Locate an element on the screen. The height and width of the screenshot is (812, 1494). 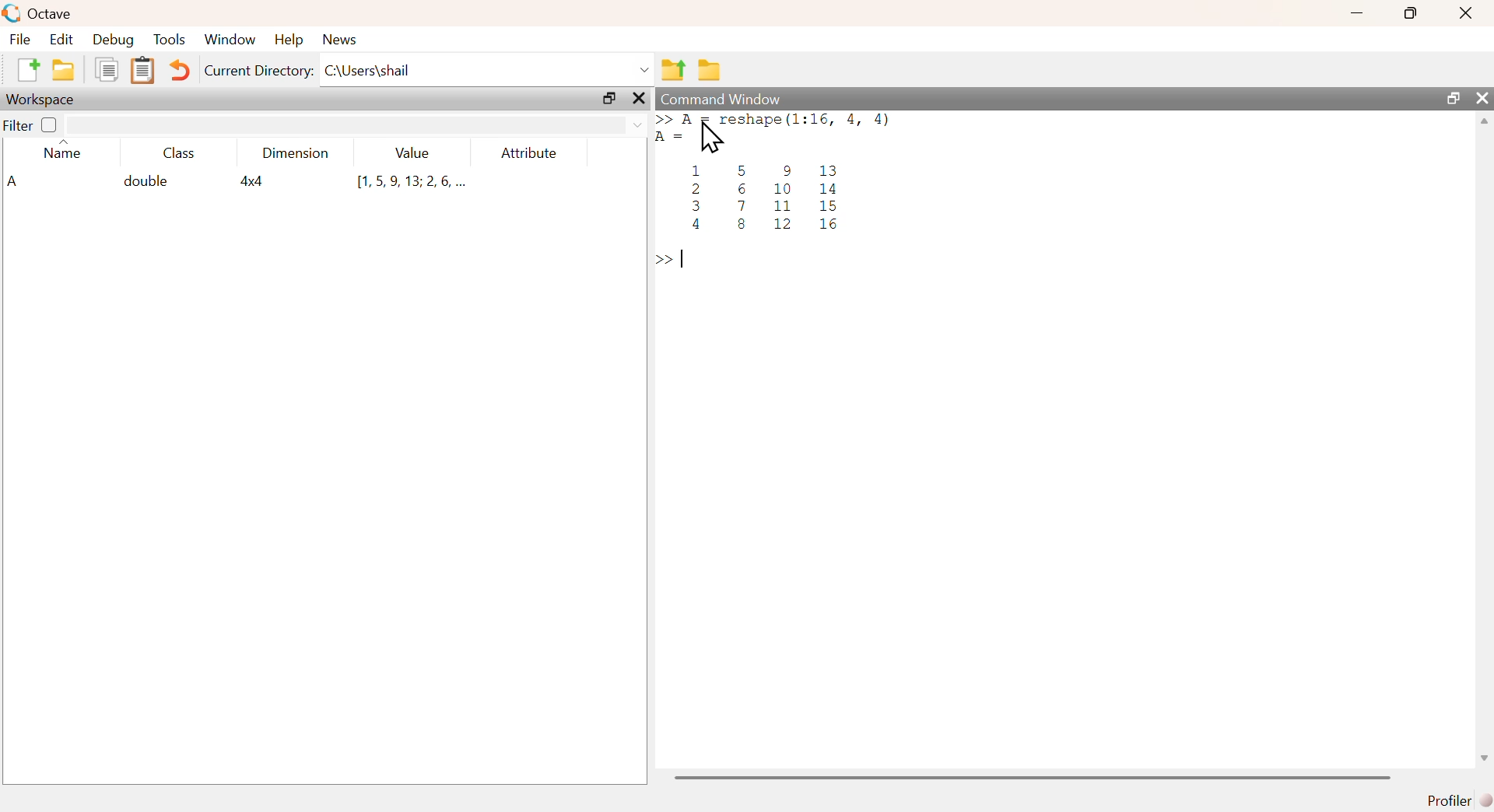
help is located at coordinates (291, 41).